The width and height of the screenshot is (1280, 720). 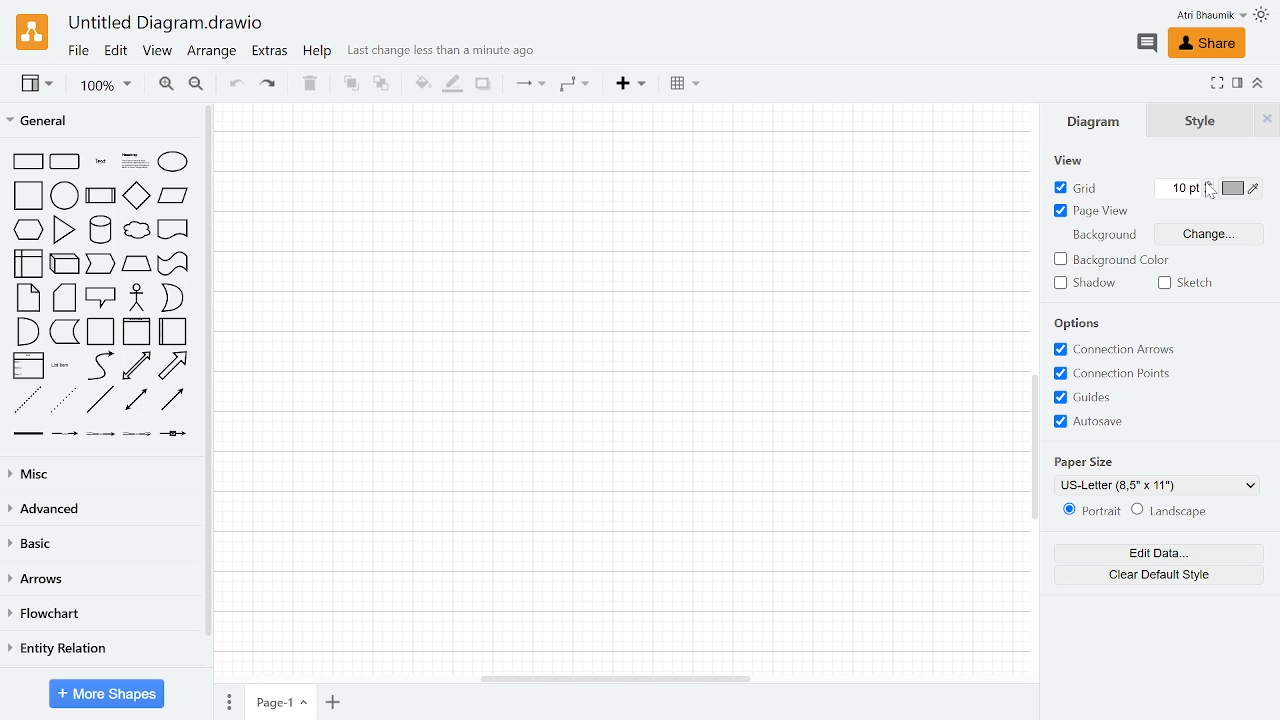 I want to click on Horizontal scrollbar, so click(x=617, y=678).